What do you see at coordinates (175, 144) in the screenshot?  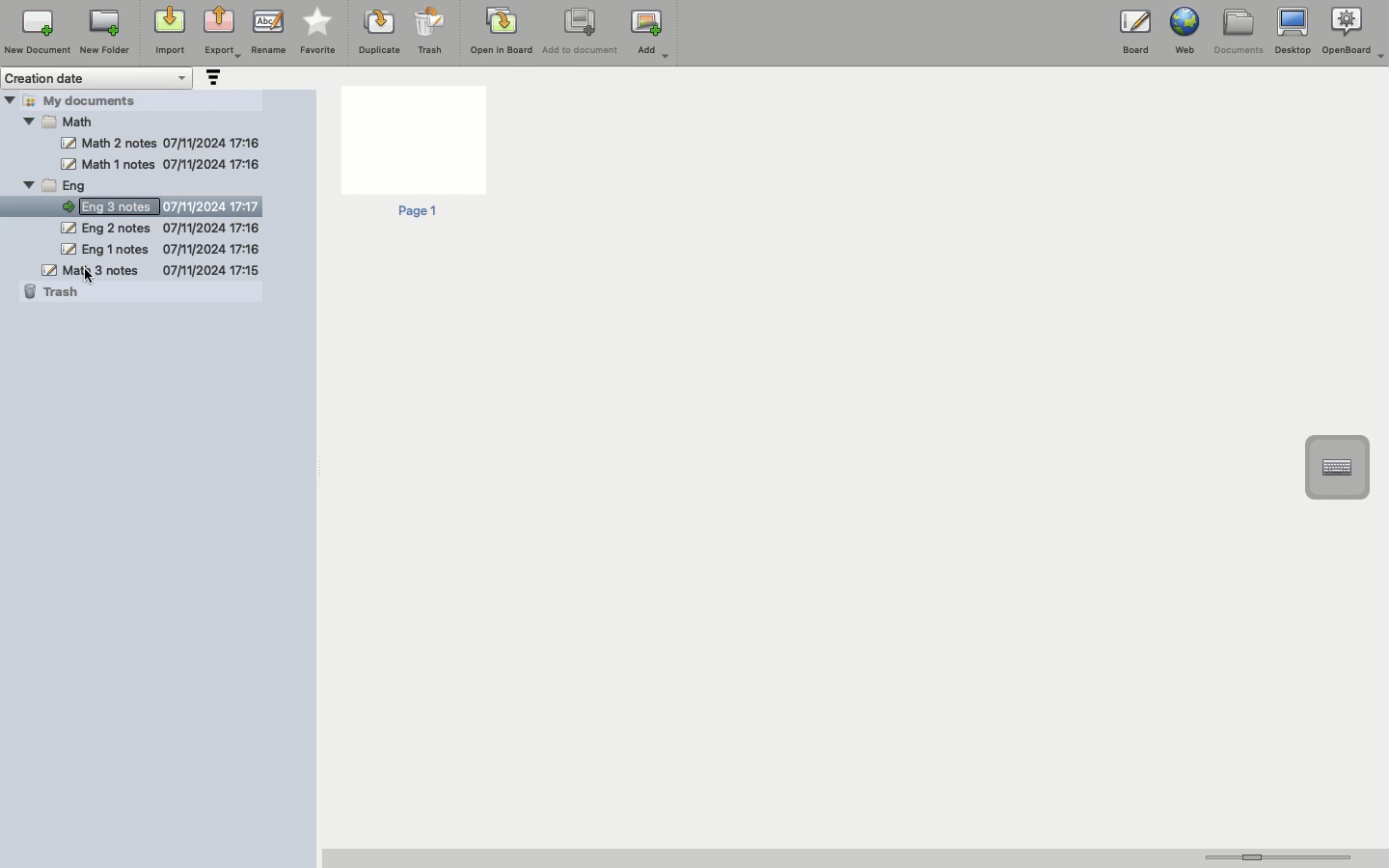 I see `Math 2 notes` at bounding box center [175, 144].